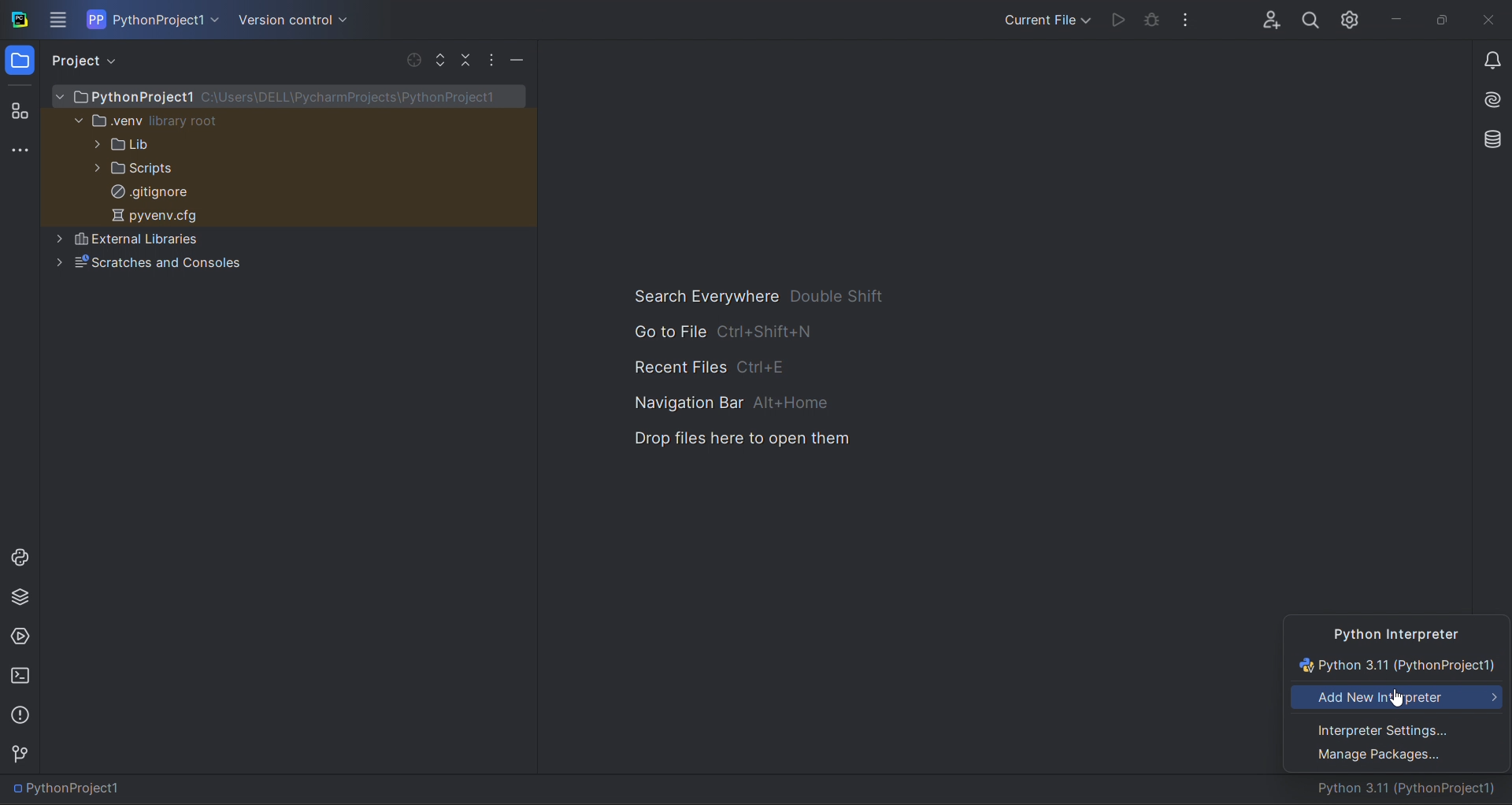 This screenshot has width=1512, height=805. What do you see at coordinates (291, 20) in the screenshot?
I see `version control` at bounding box center [291, 20].